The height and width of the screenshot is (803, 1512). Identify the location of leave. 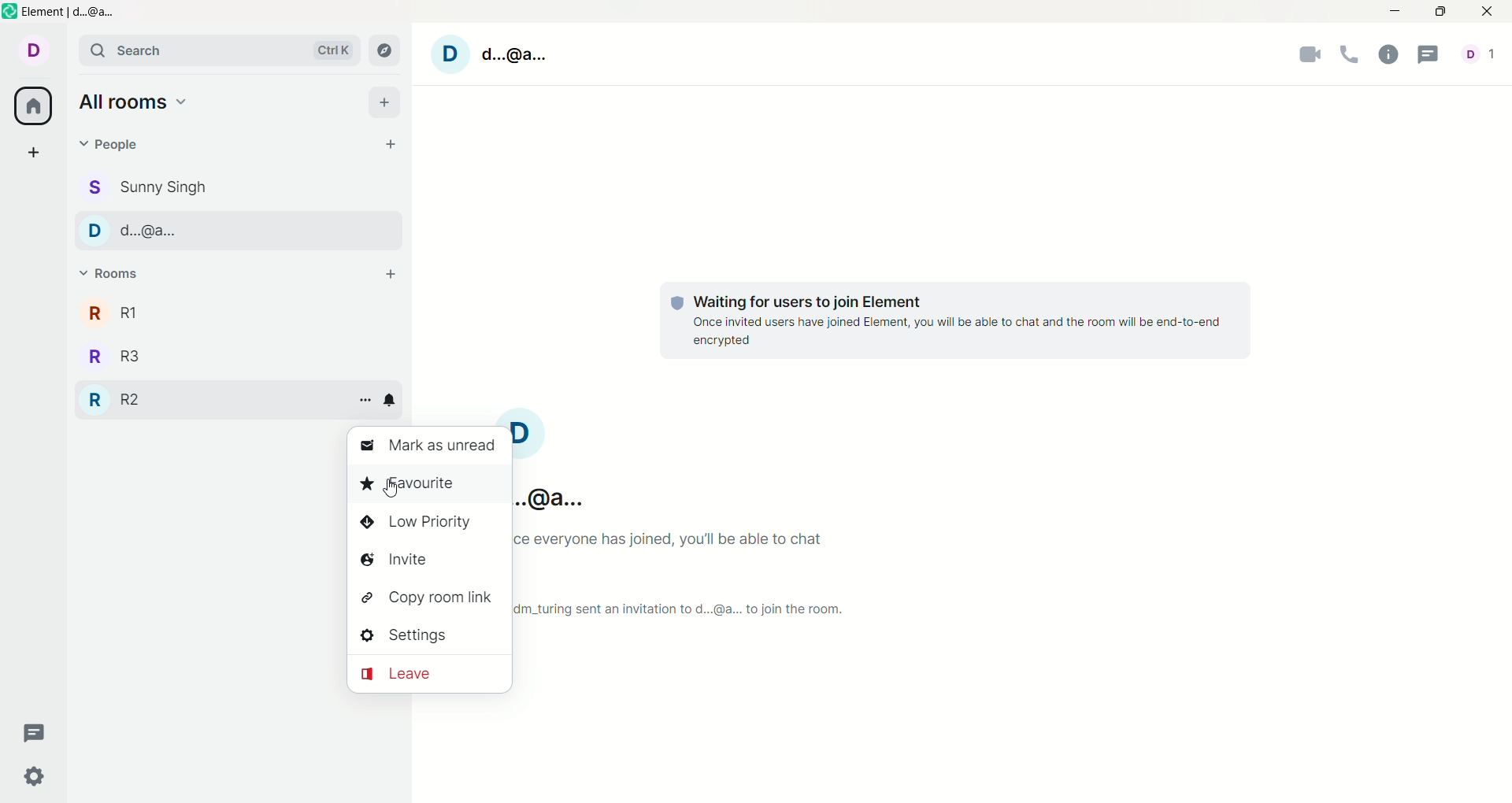
(429, 675).